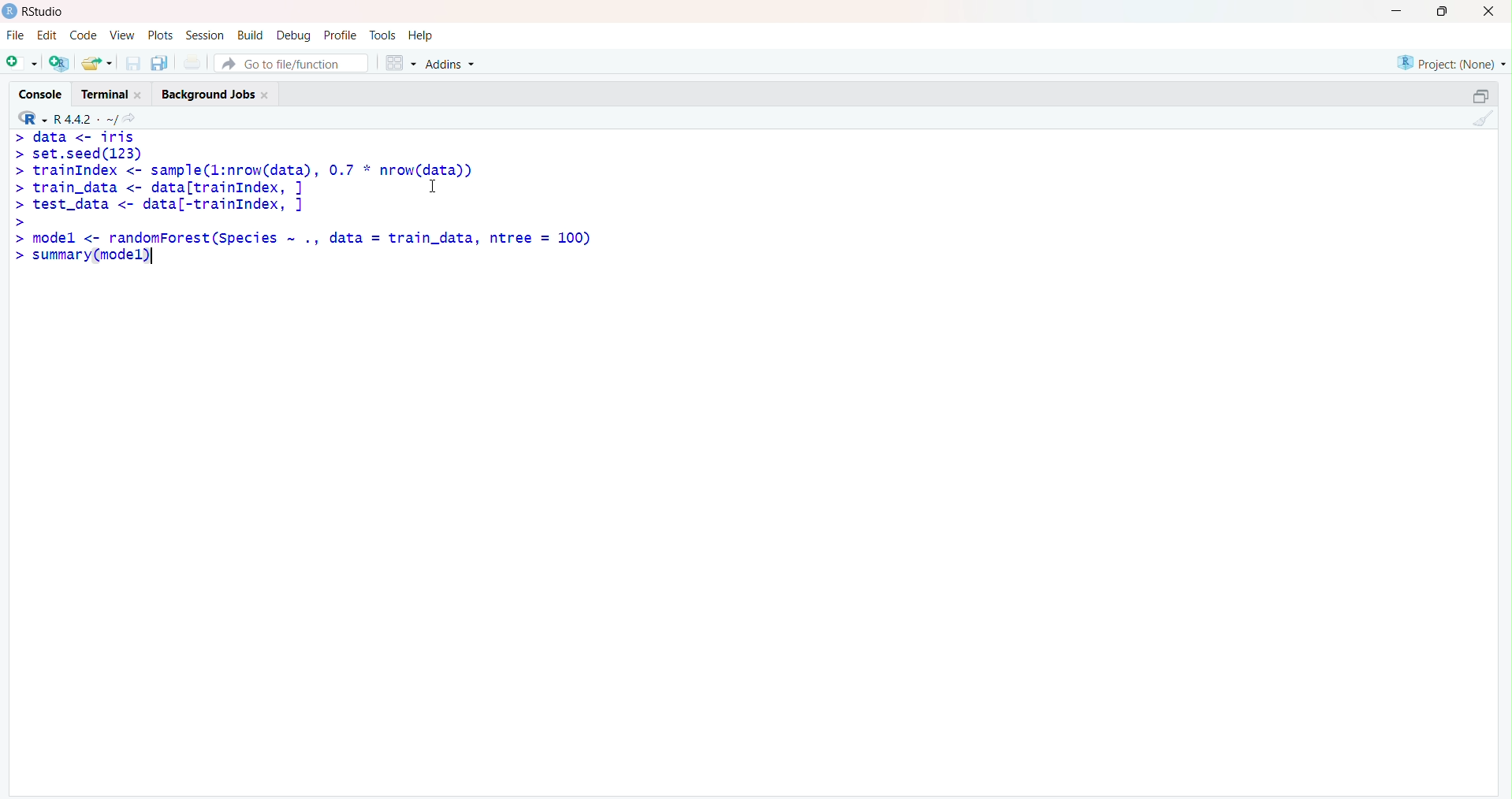 This screenshot has height=799, width=1512. Describe the element at coordinates (290, 61) in the screenshot. I see `Go to file/function` at that location.